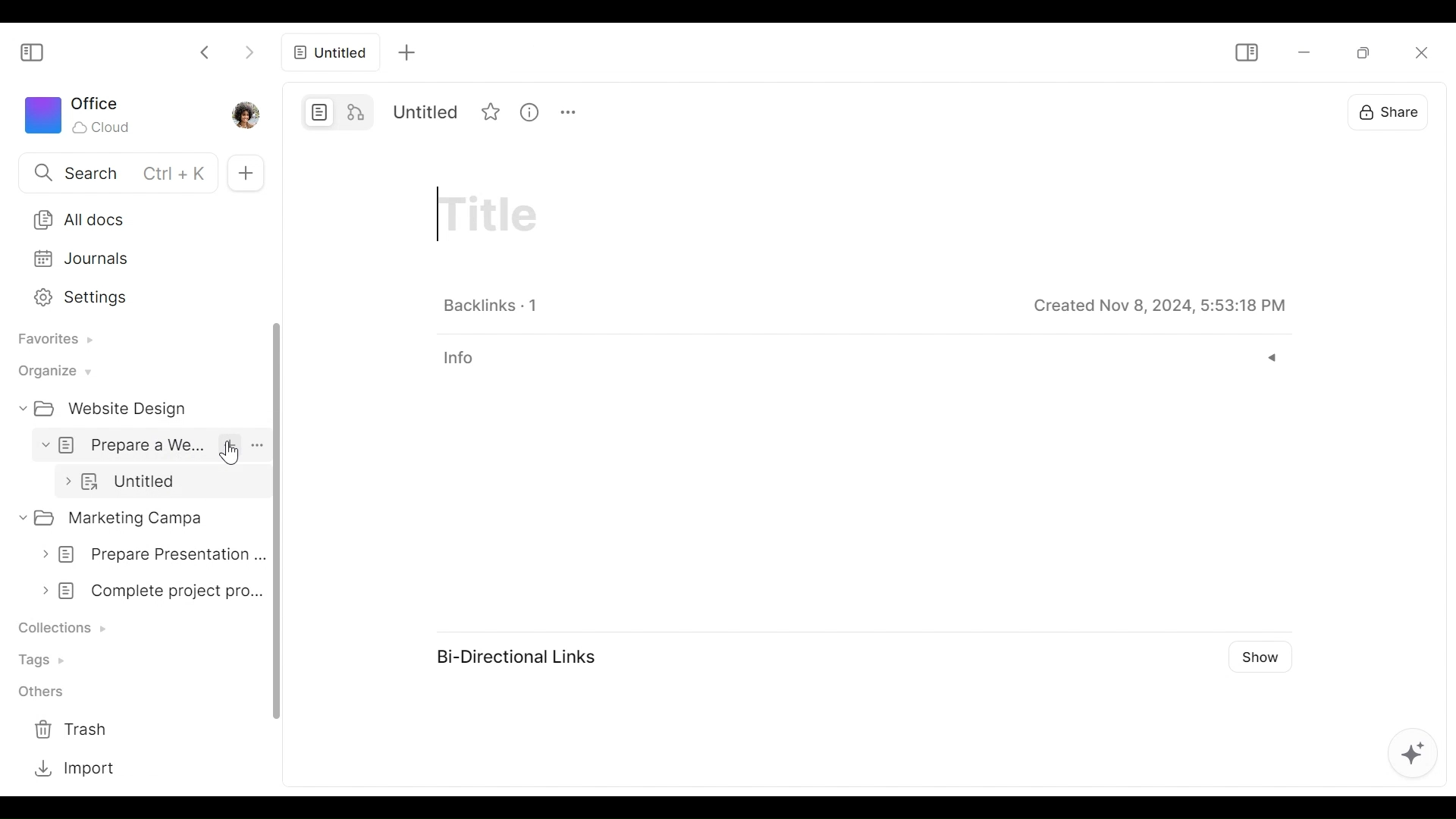 The height and width of the screenshot is (819, 1456). What do you see at coordinates (688, 111) in the screenshot?
I see `View Information` at bounding box center [688, 111].